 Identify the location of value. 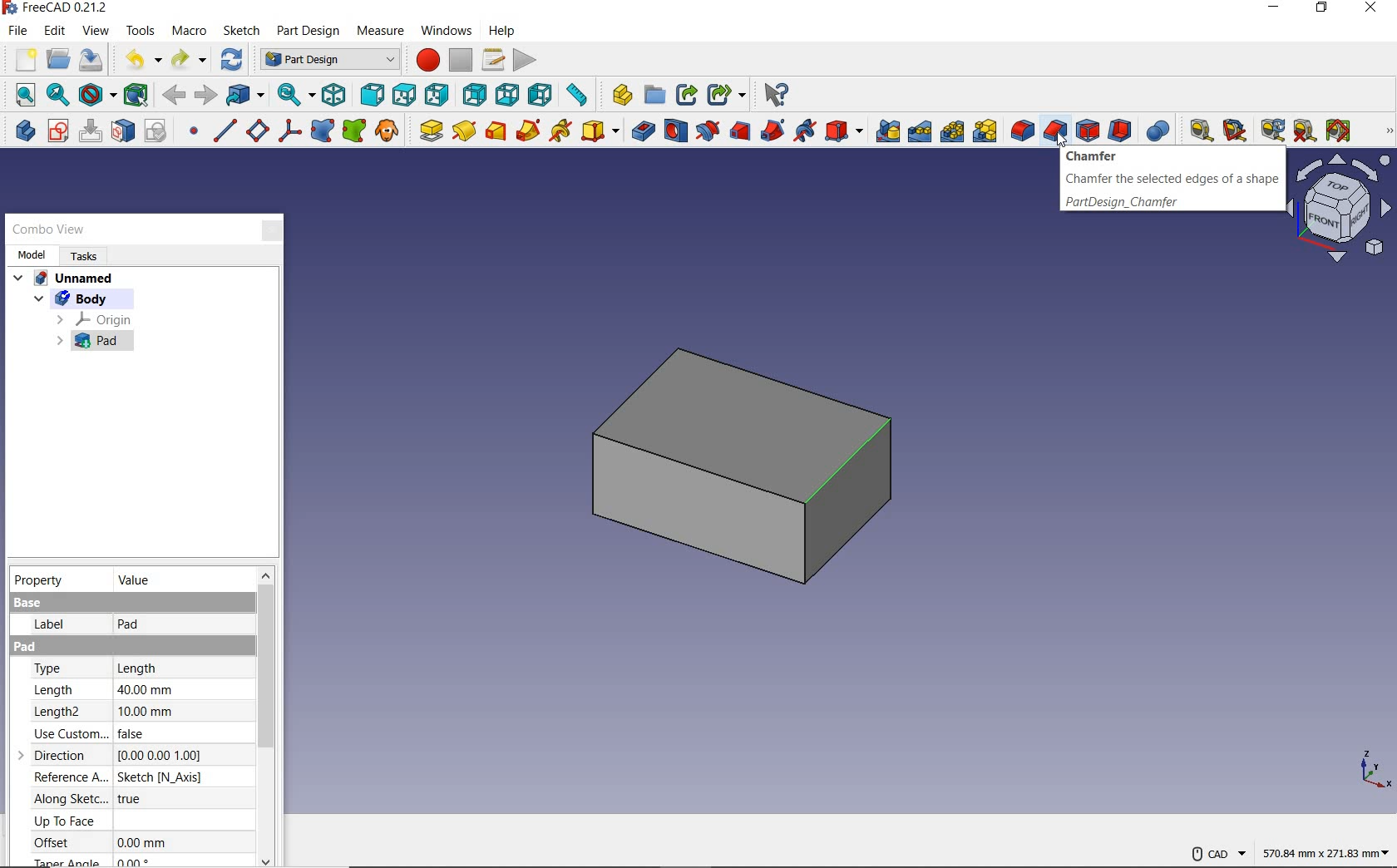
(131, 579).